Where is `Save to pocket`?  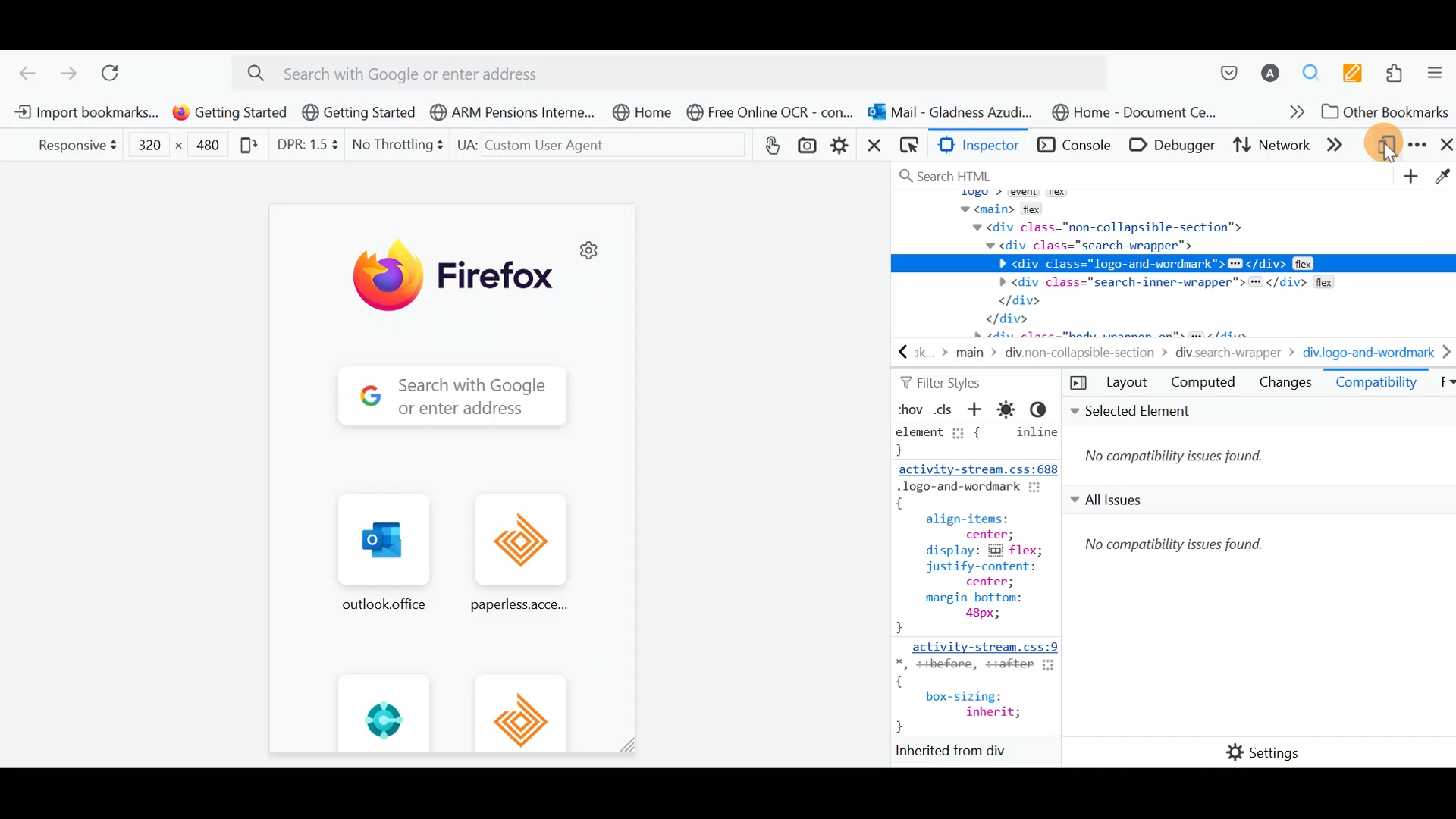
Save to pocket is located at coordinates (1227, 65).